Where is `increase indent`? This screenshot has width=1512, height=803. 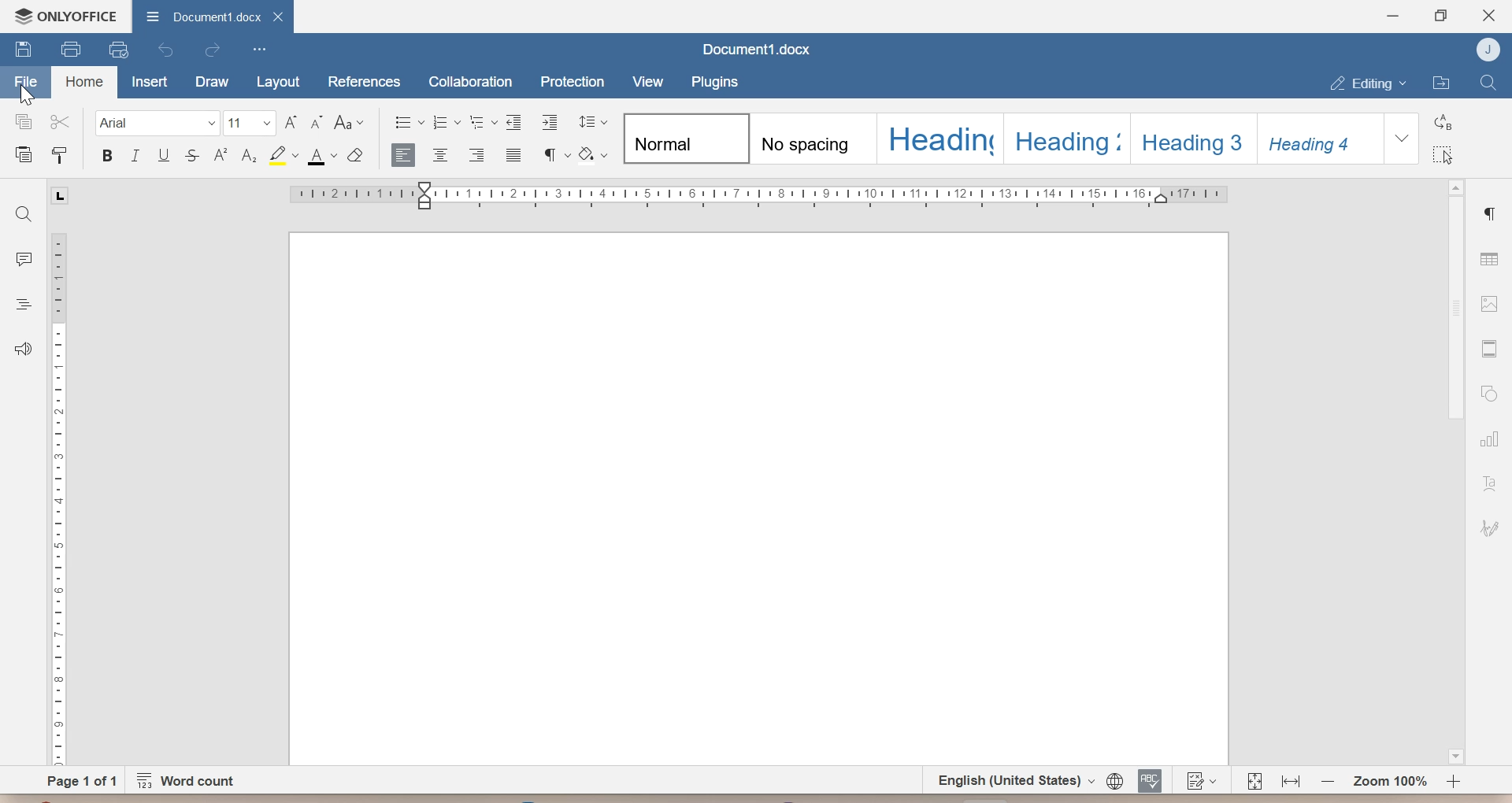 increase indent is located at coordinates (547, 123).